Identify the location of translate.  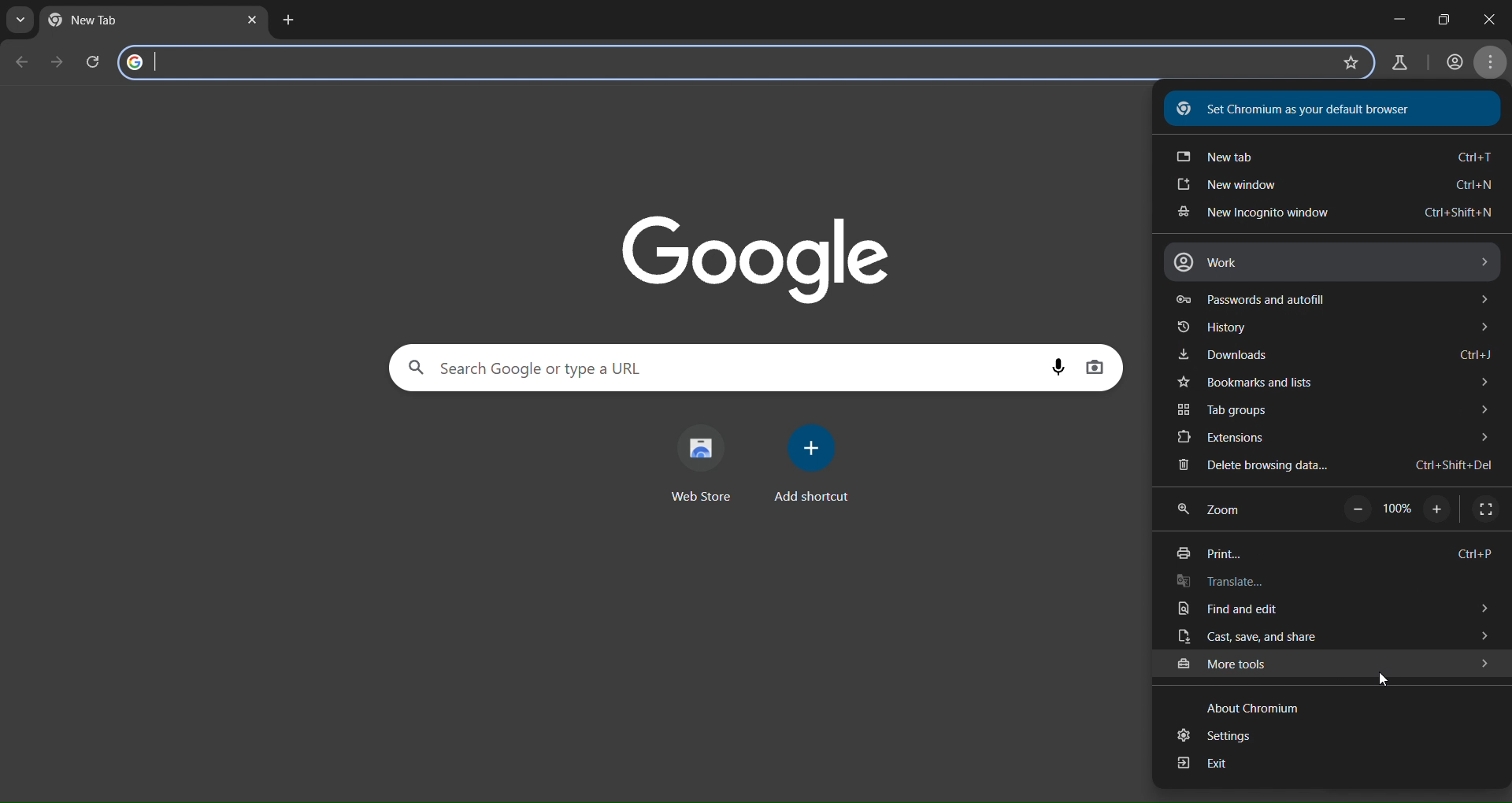
(1251, 583).